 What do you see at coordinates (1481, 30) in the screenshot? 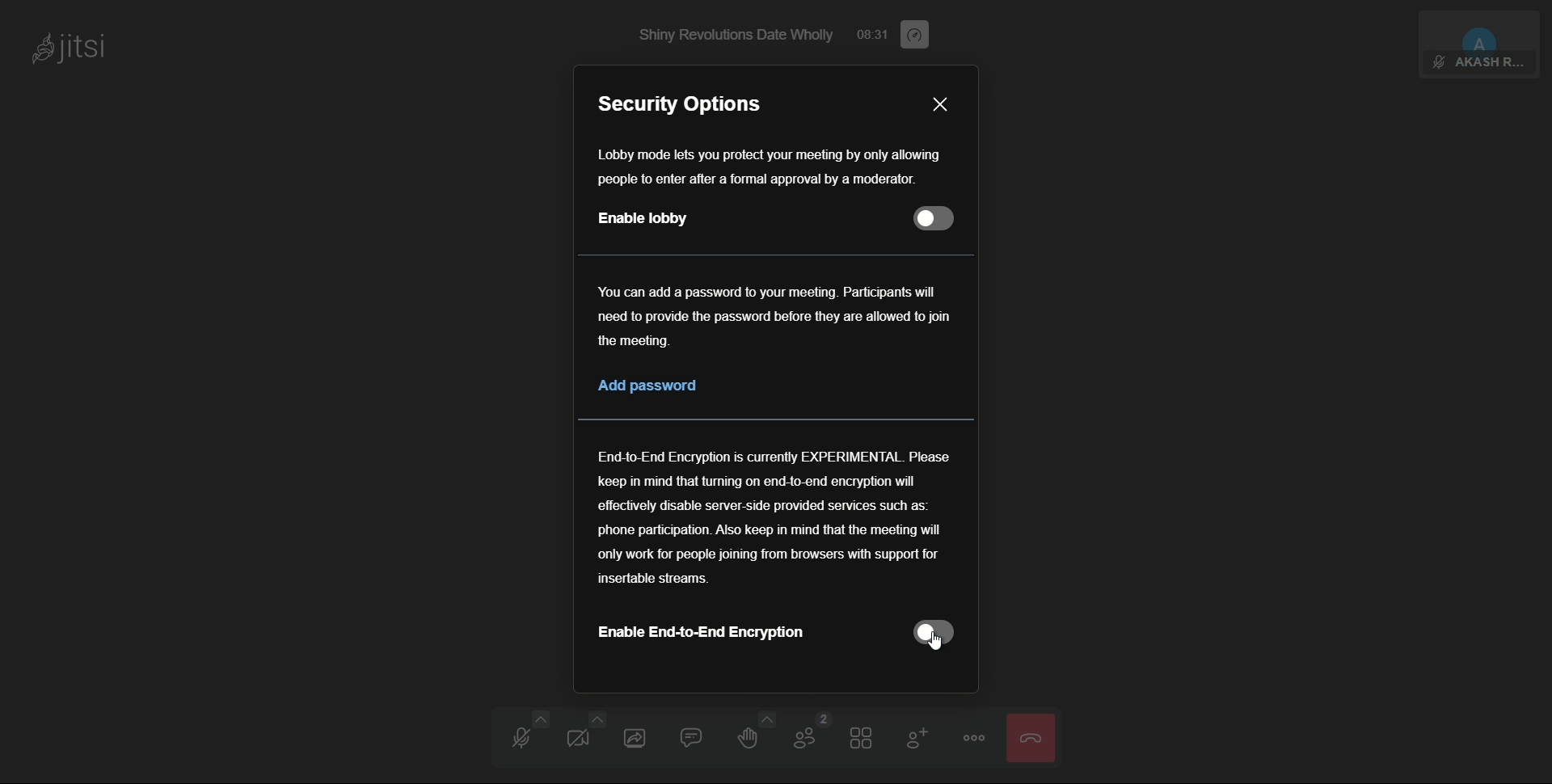
I see `participant` at bounding box center [1481, 30].